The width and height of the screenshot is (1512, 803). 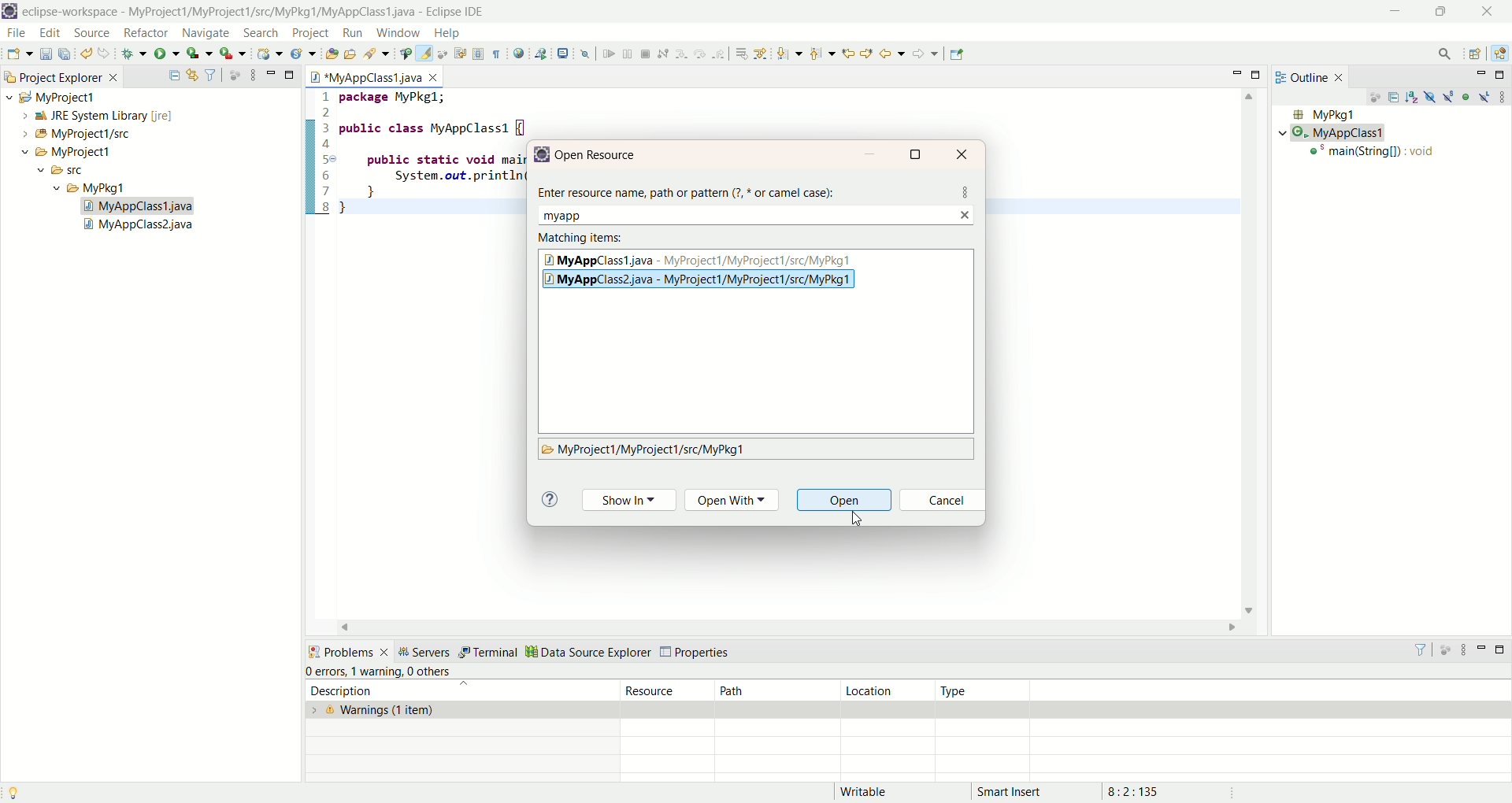 What do you see at coordinates (1502, 75) in the screenshot?
I see `maximize` at bounding box center [1502, 75].